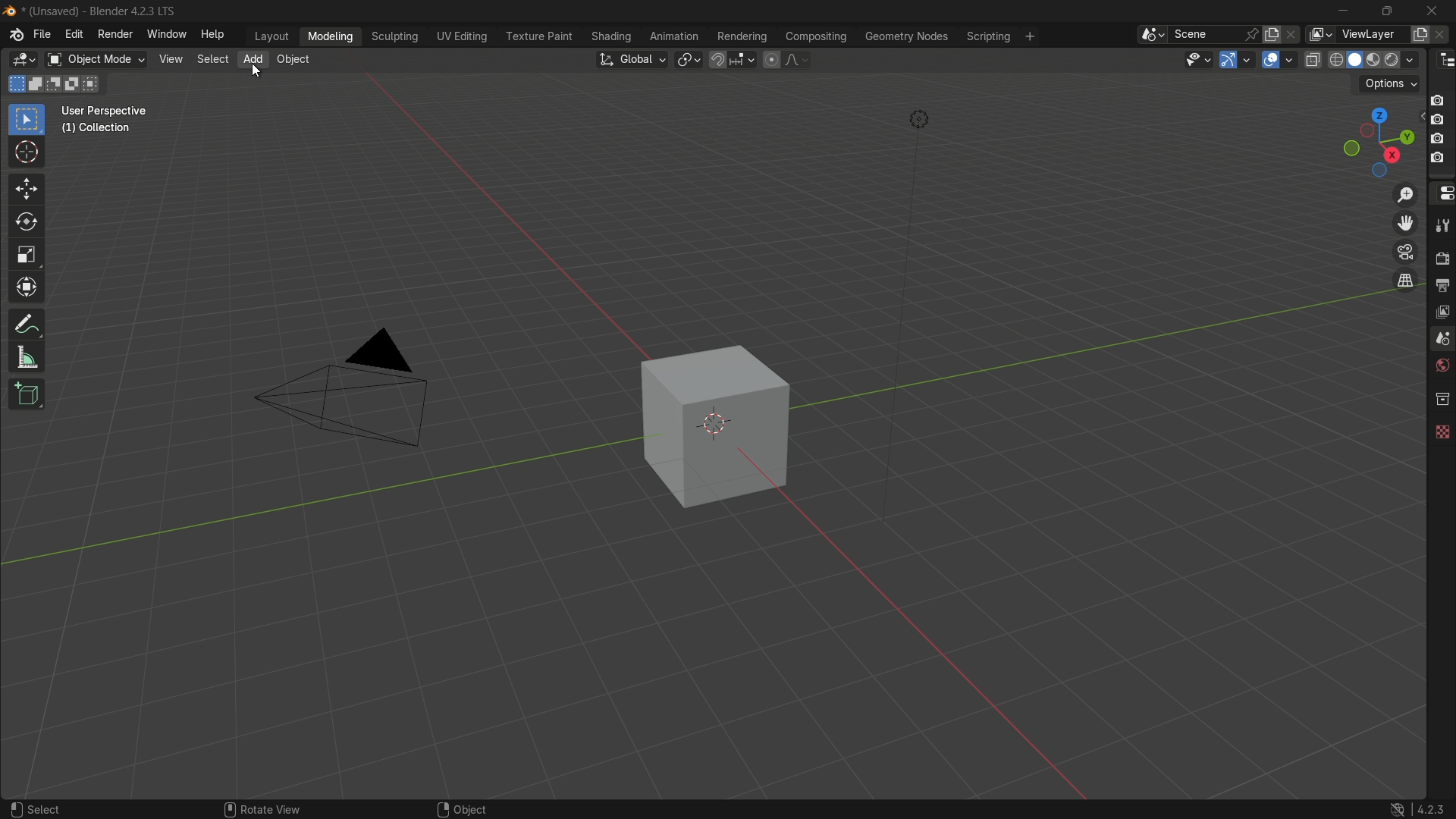 The height and width of the screenshot is (819, 1456). Describe the element at coordinates (1375, 58) in the screenshot. I see `material preview display` at that location.